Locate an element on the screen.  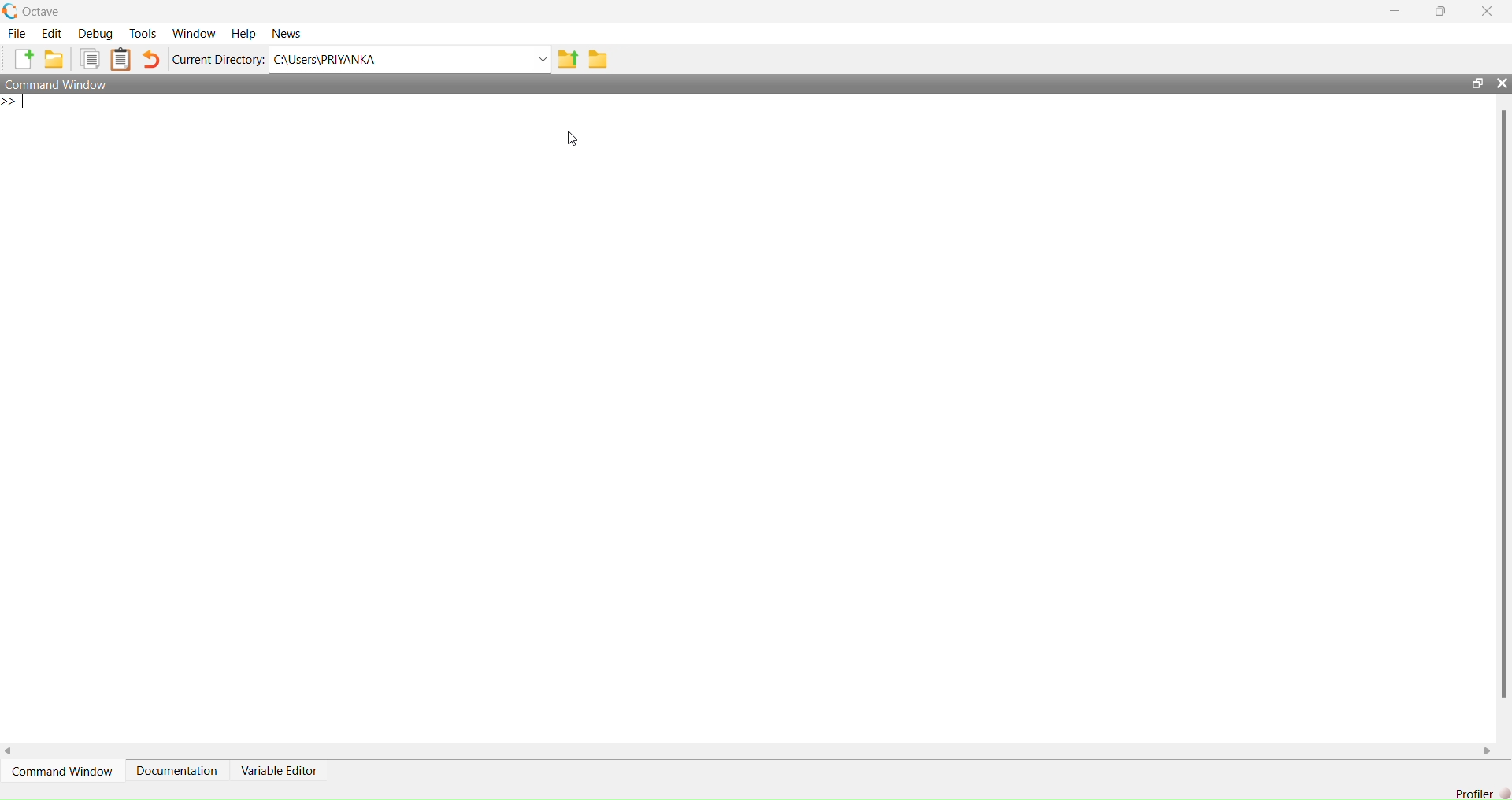
‘Command Window is located at coordinates (63, 770).